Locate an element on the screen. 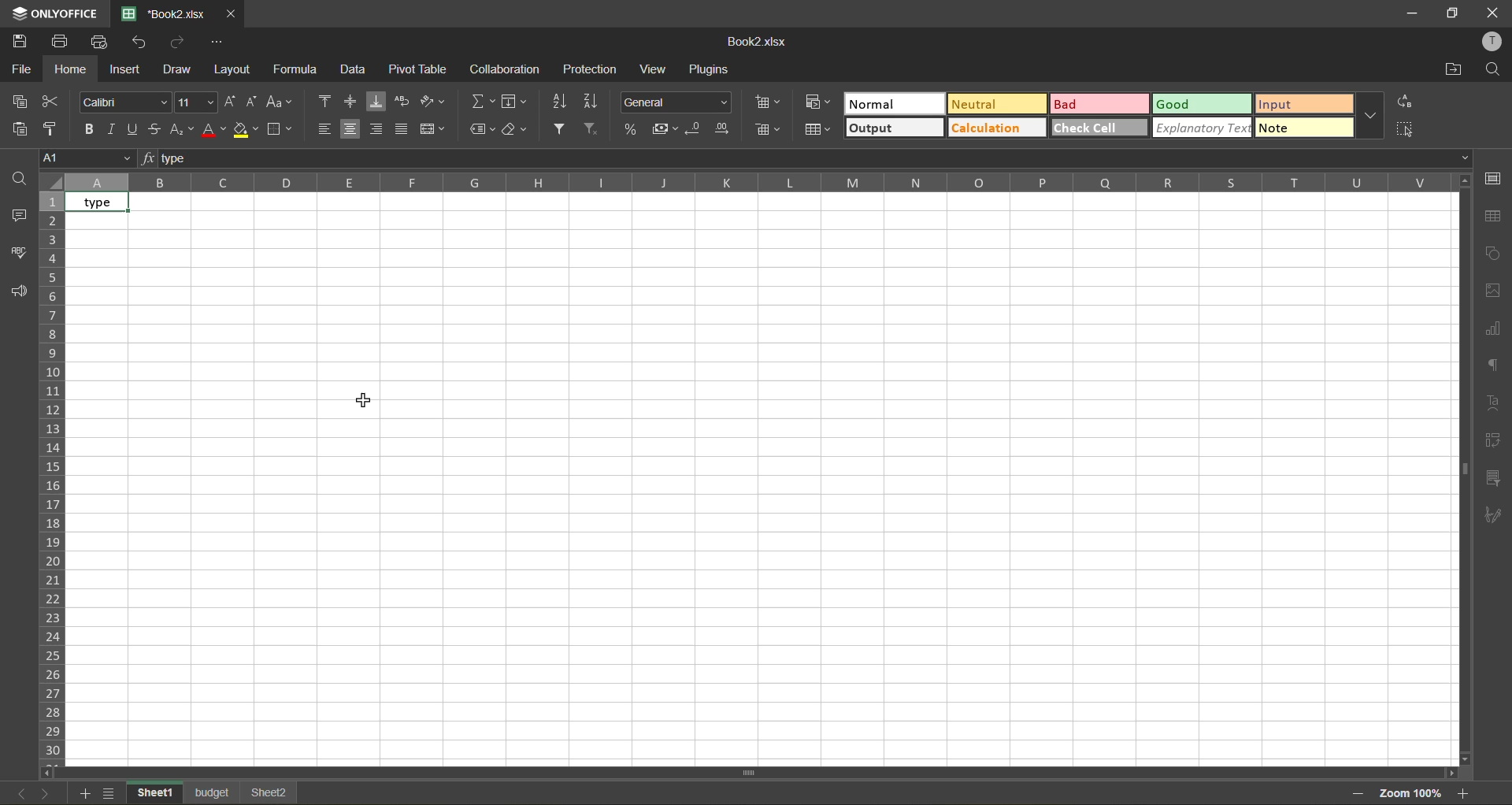 This screenshot has height=805, width=1512. sub/superscript is located at coordinates (184, 128).